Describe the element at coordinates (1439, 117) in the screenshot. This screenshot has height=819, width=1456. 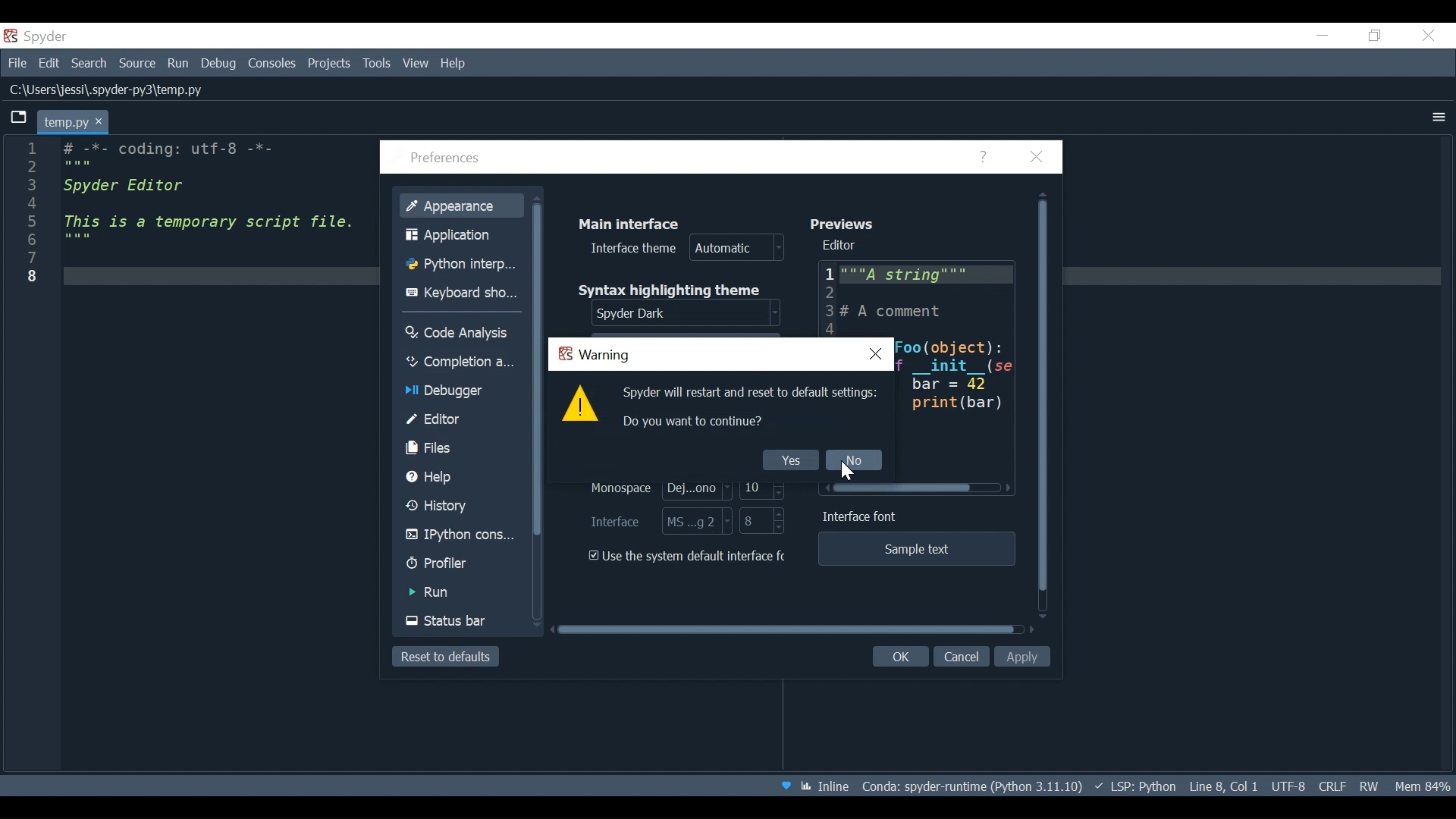
I see `More Options` at that location.